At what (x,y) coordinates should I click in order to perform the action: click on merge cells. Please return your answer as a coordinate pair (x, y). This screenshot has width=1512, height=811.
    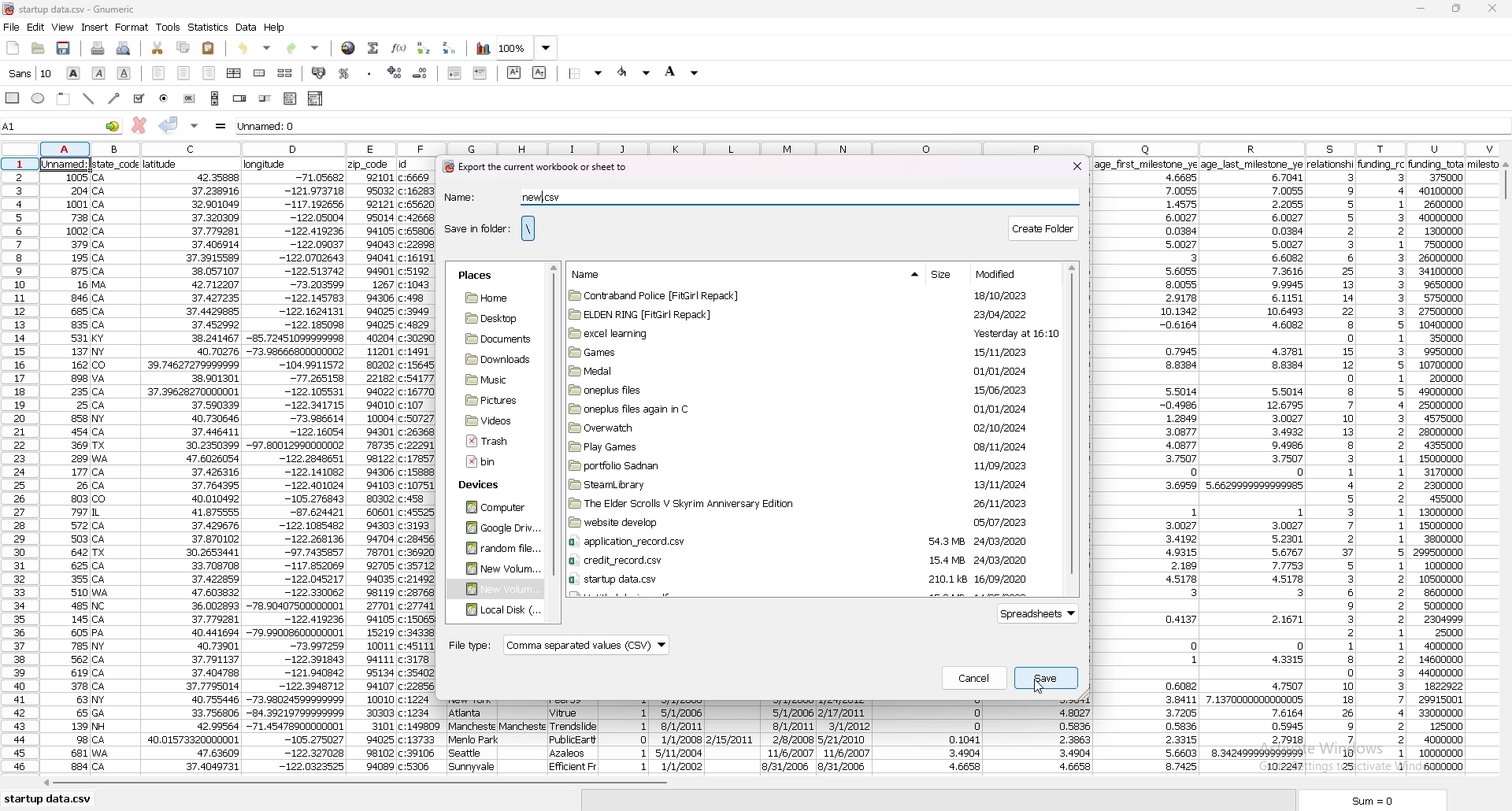
    Looking at the image, I should click on (261, 72).